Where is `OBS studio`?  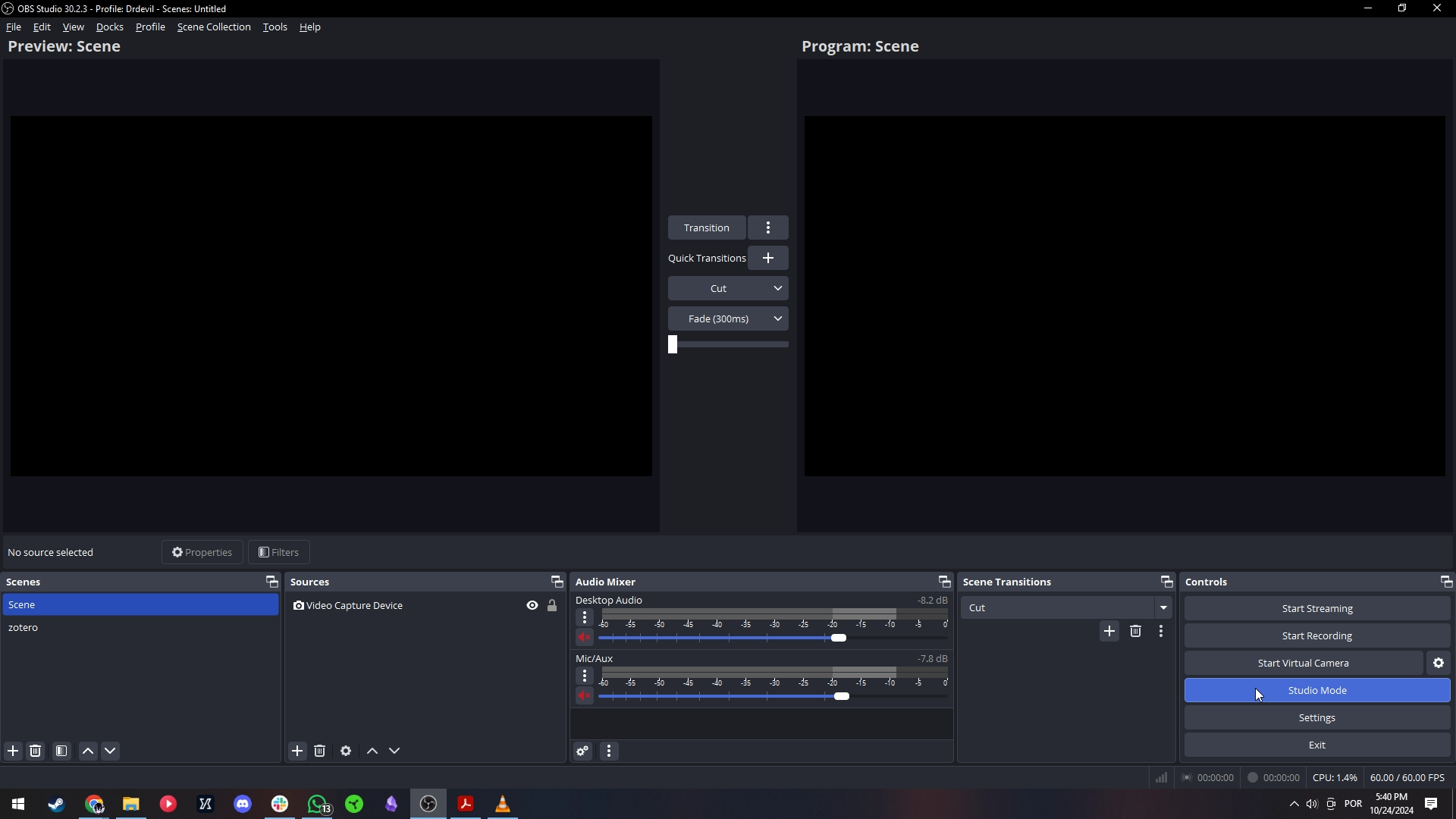 OBS studio is located at coordinates (428, 805).